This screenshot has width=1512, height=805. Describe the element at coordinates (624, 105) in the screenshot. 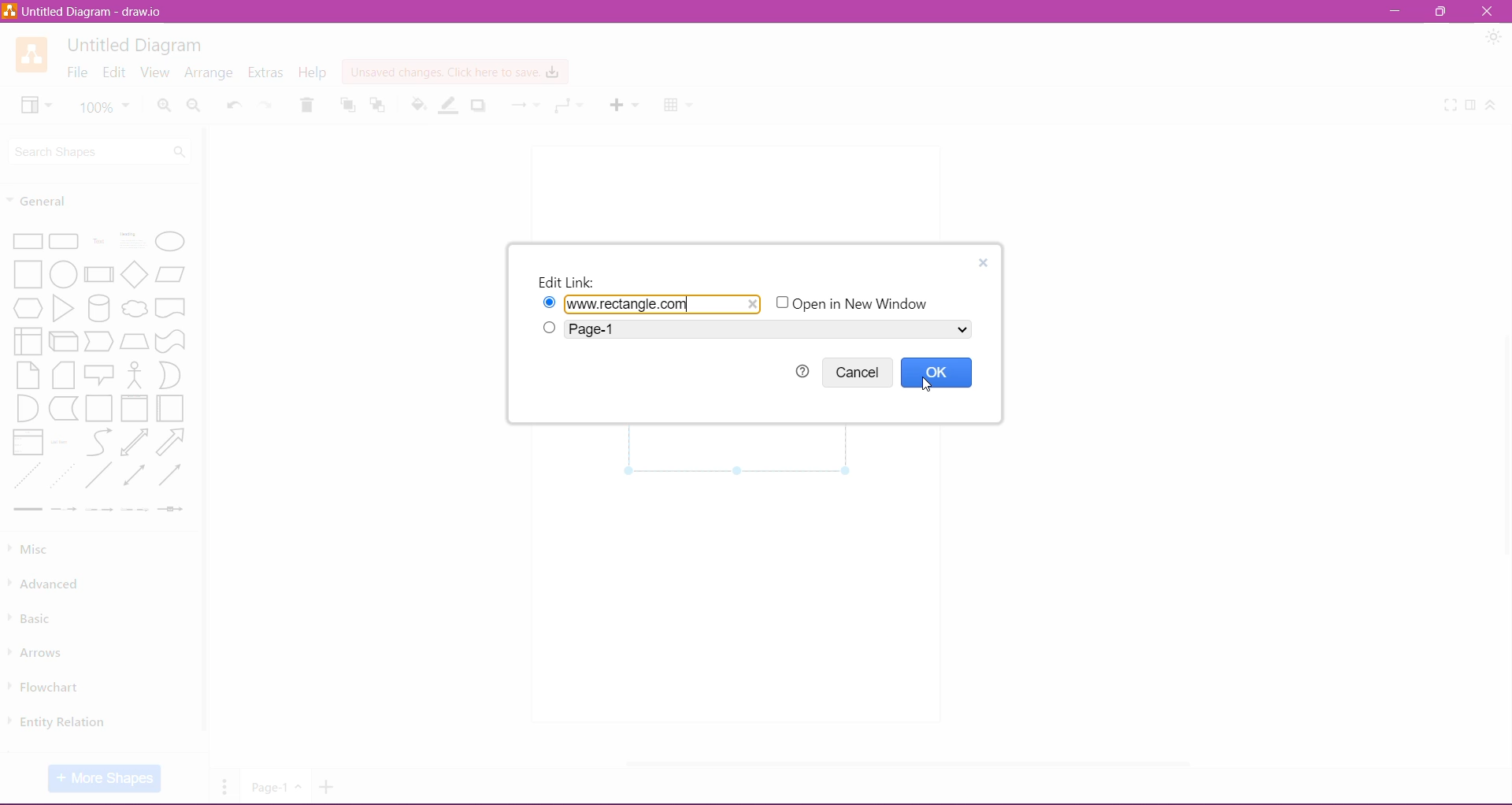

I see `Insert` at that location.